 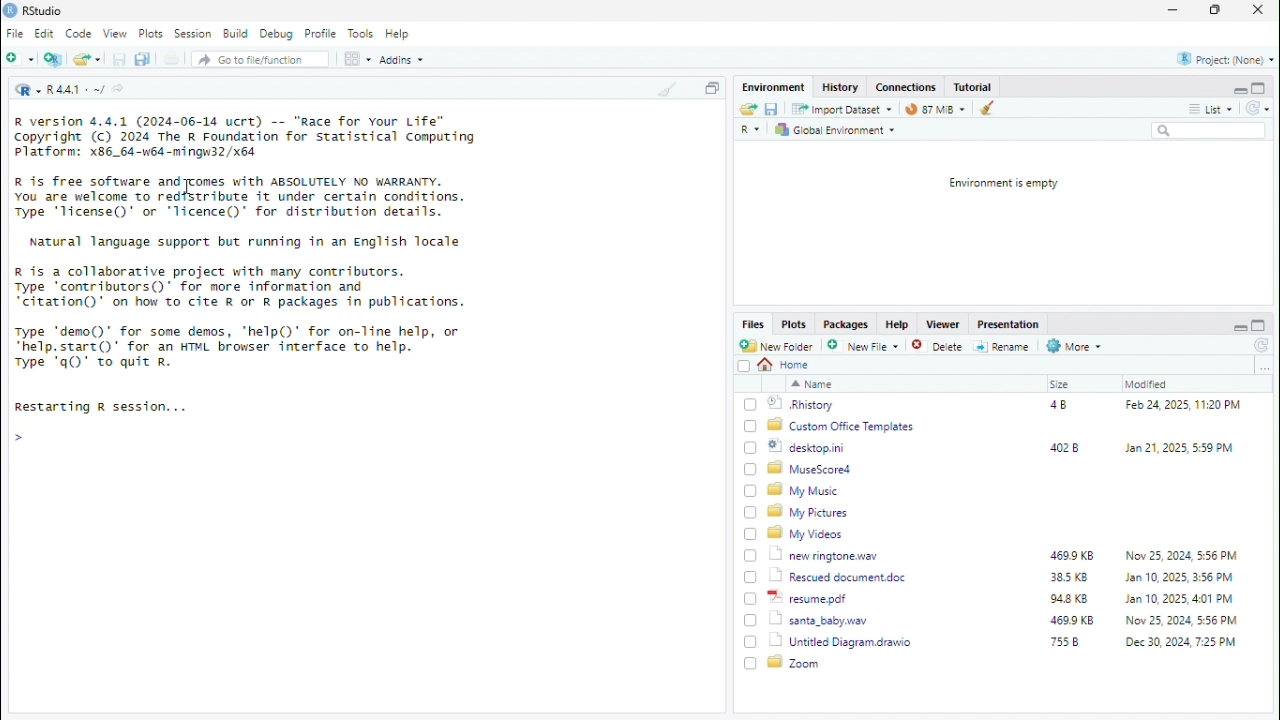 What do you see at coordinates (79, 34) in the screenshot?
I see `Code` at bounding box center [79, 34].